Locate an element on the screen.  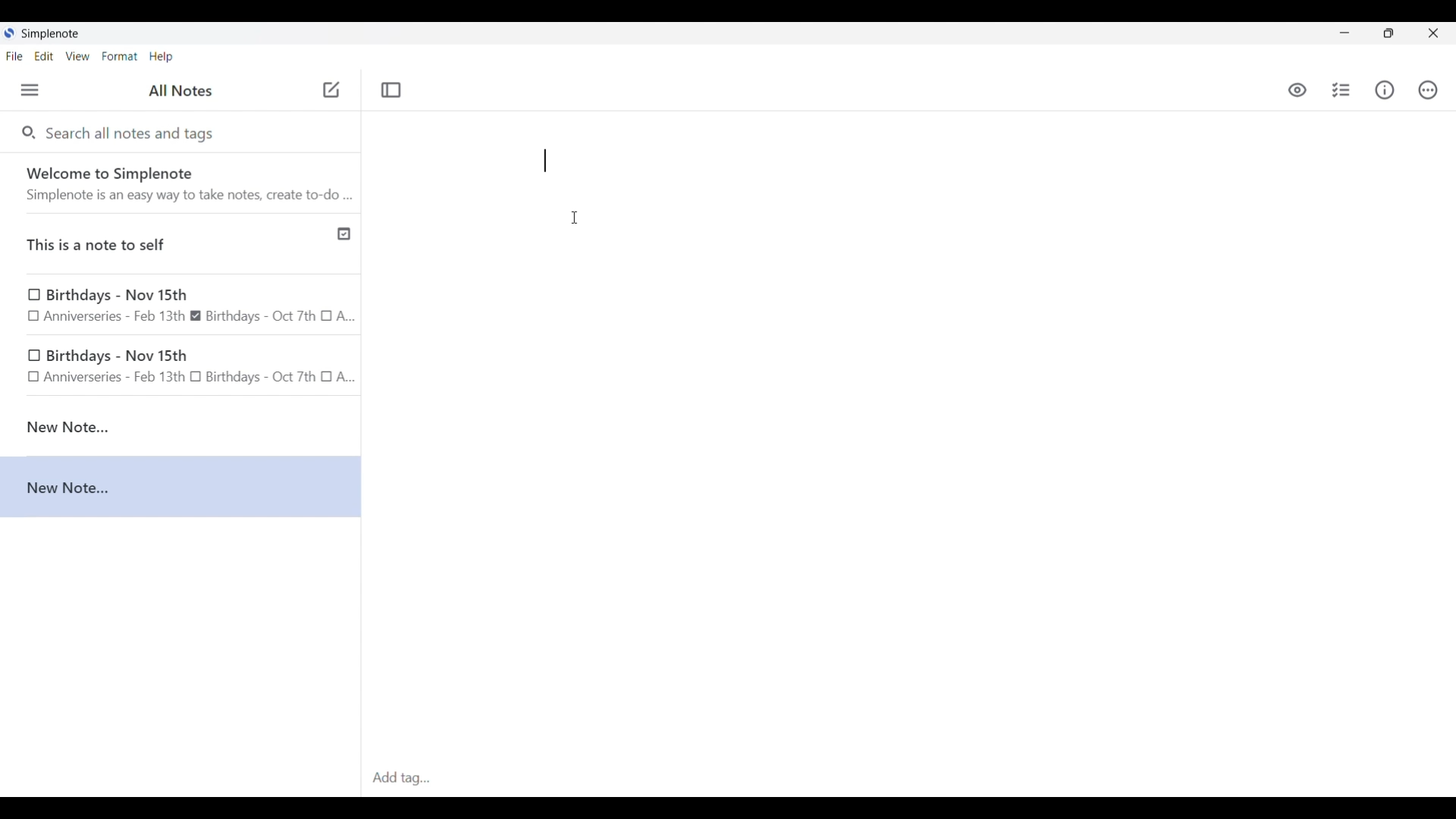
Toggle to see markdown preview is located at coordinates (1298, 90).